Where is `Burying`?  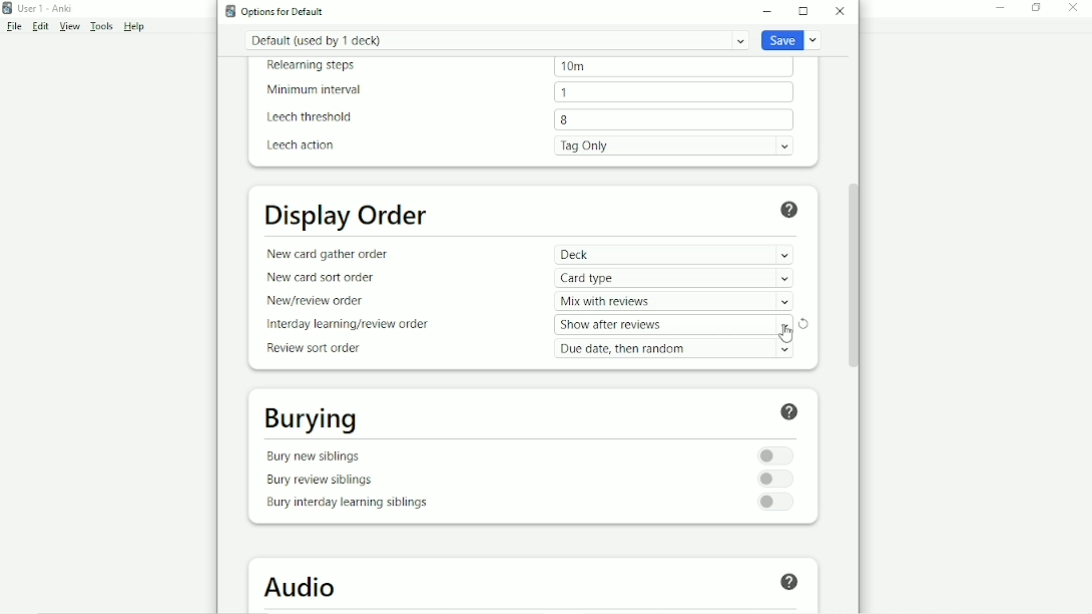
Burying is located at coordinates (309, 419).